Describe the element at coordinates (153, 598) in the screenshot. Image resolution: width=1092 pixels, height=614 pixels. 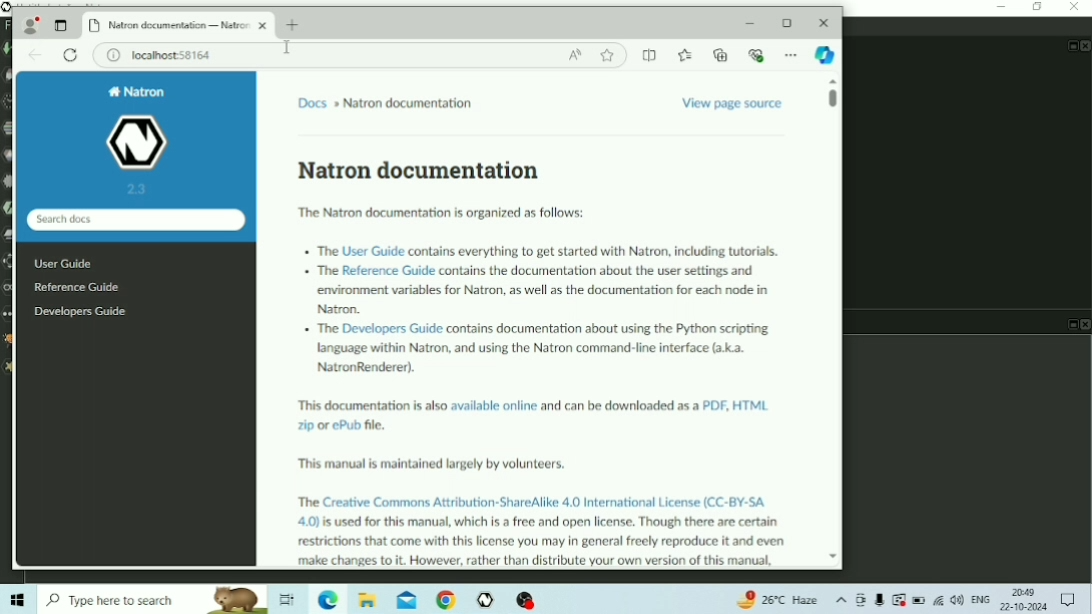
I see `Type here to search` at that location.